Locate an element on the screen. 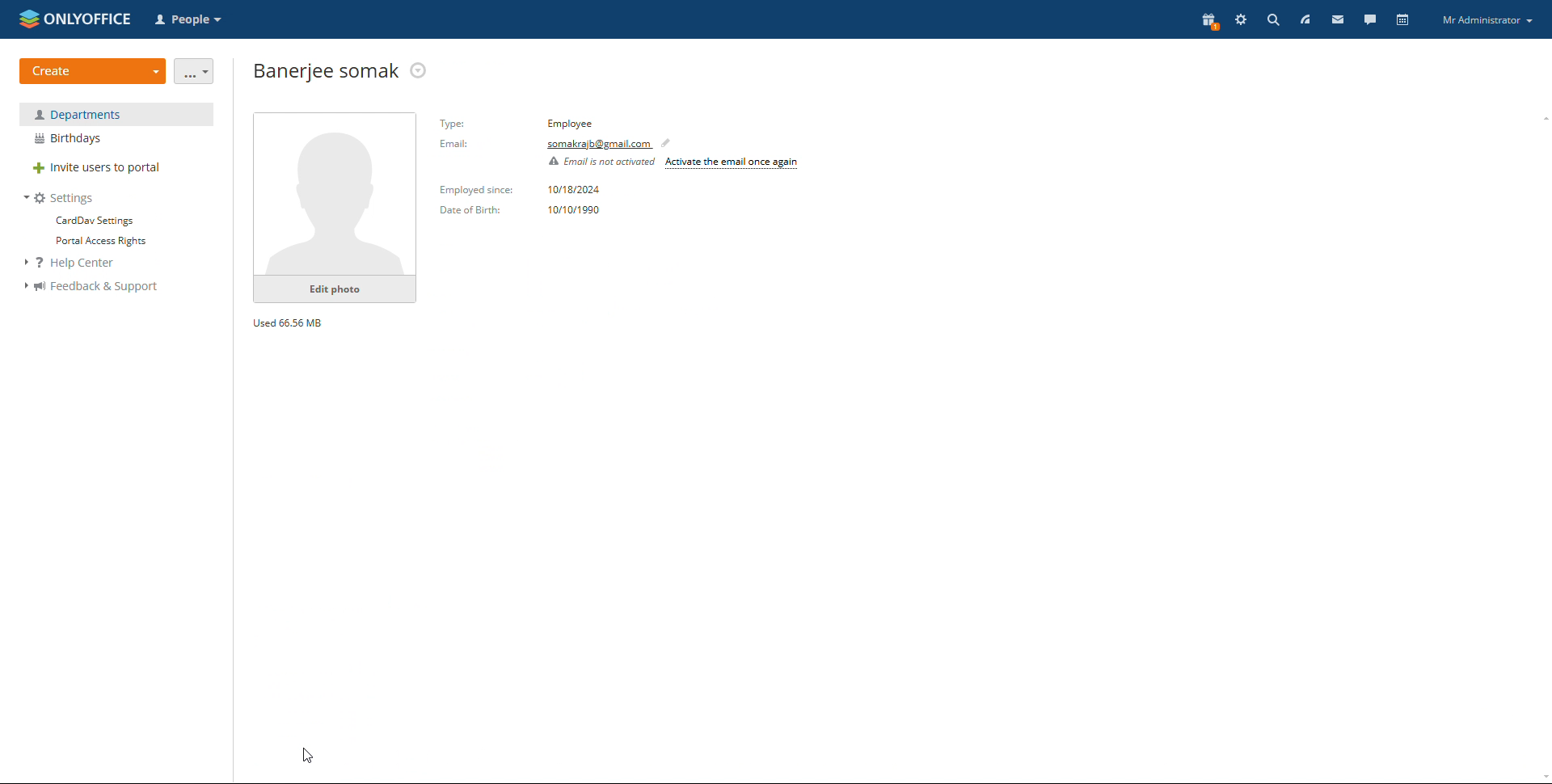 This screenshot has height=784, width=1552. employed since is located at coordinates (576, 190).